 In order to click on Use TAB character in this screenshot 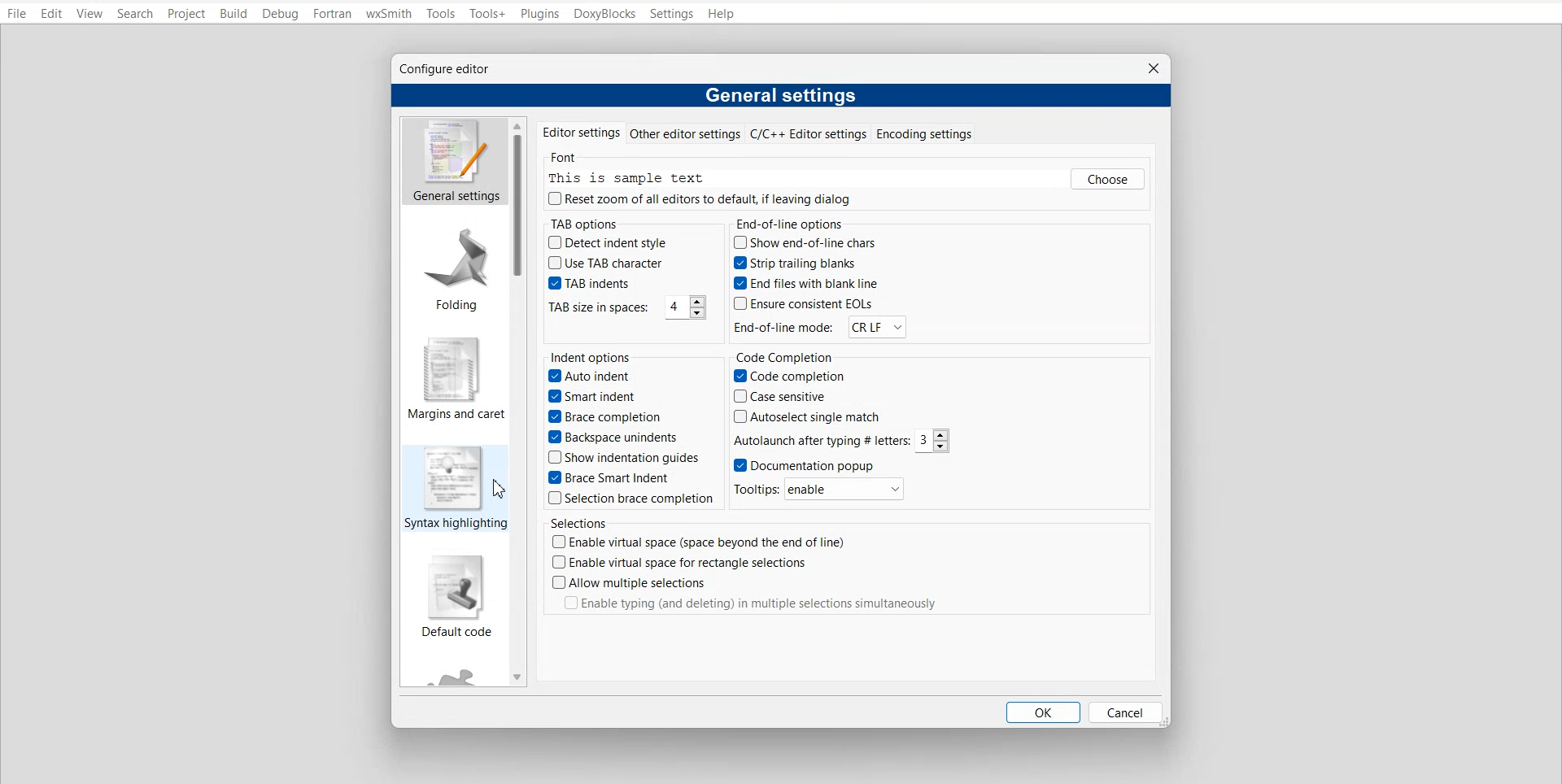, I will do `click(605, 263)`.